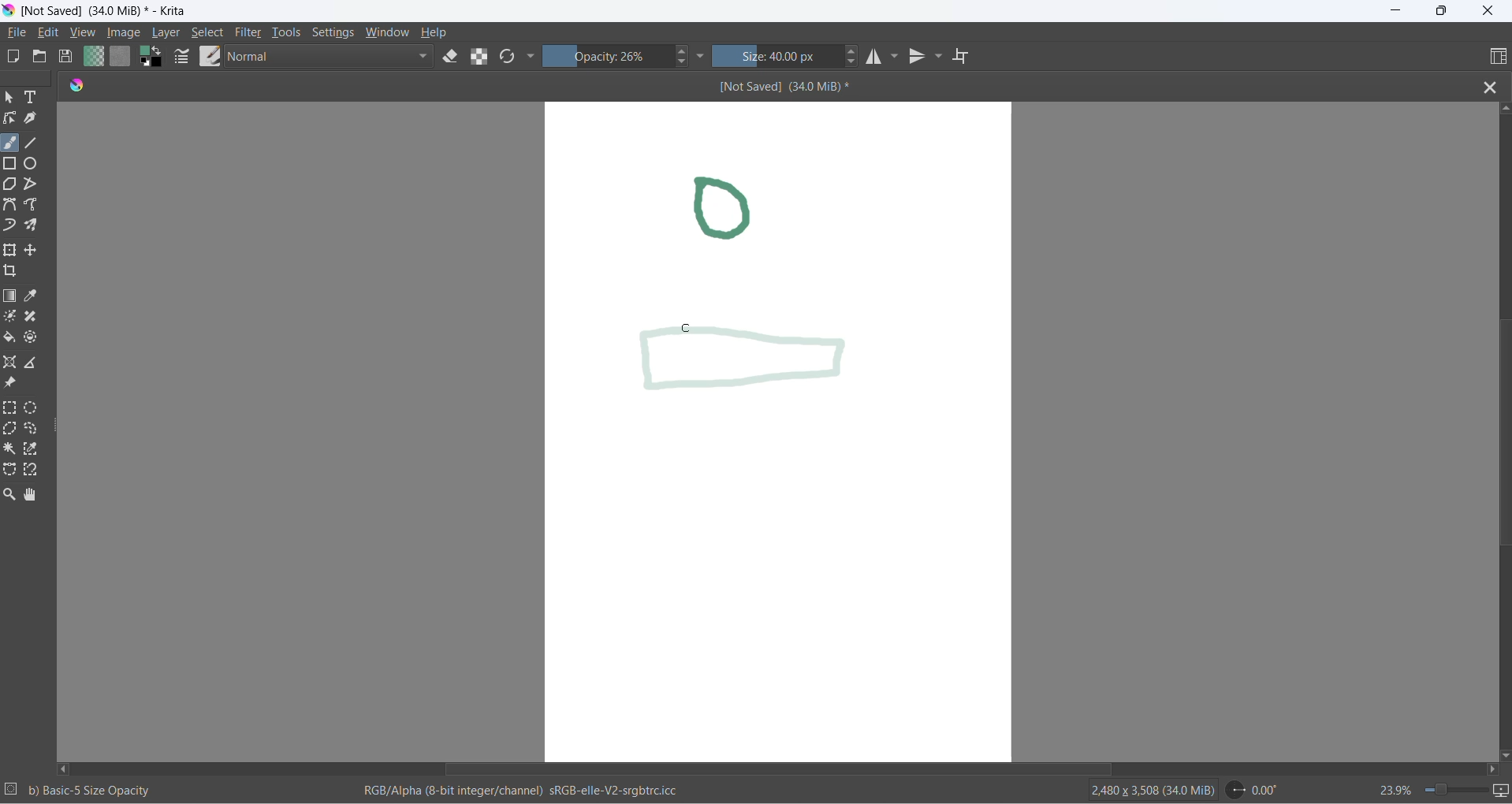 This screenshot has height=804, width=1512. Describe the element at coordinates (58, 424) in the screenshot. I see `resize` at that location.